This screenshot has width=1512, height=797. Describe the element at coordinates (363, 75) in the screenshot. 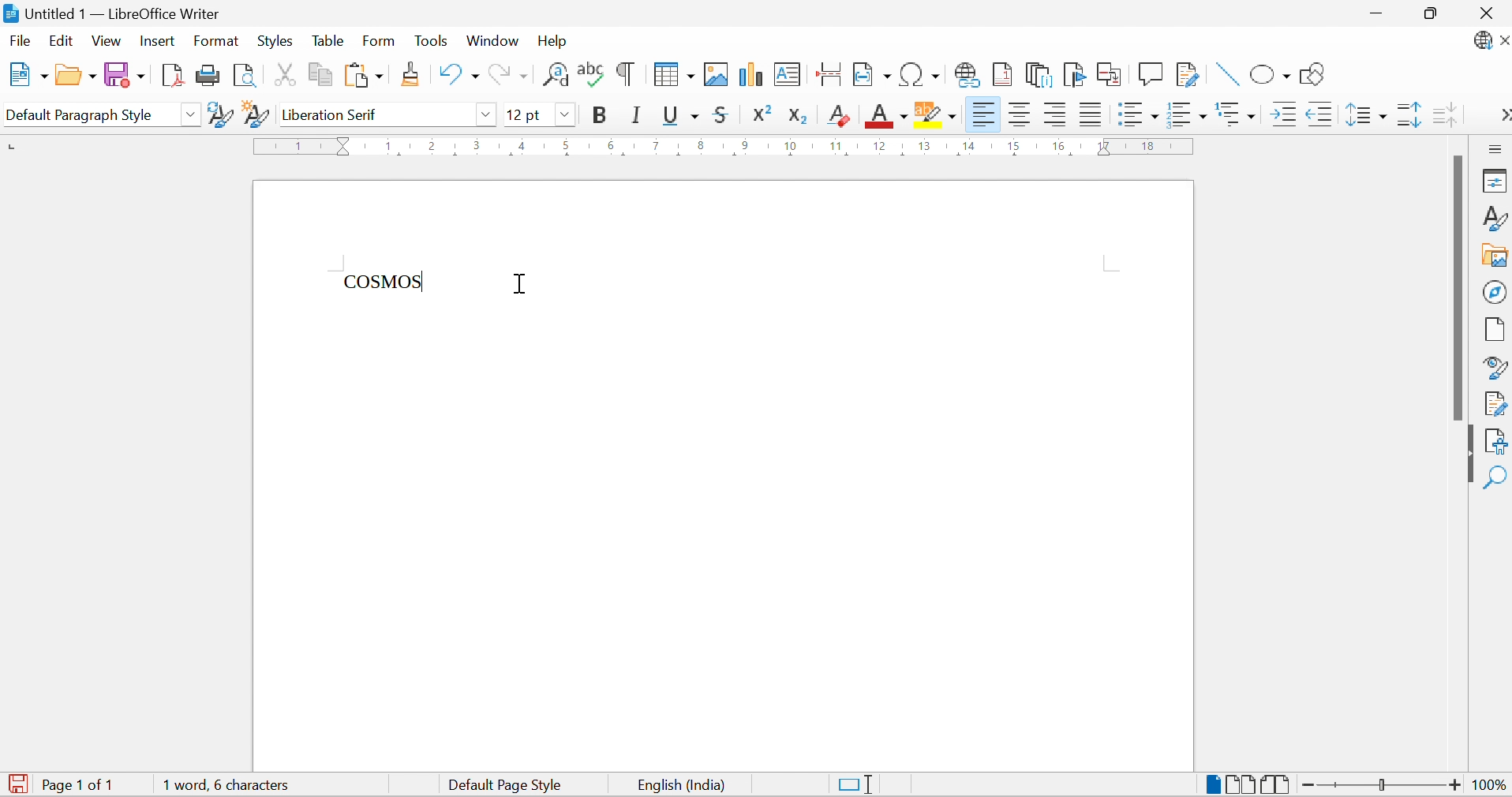

I see `Paste` at that location.